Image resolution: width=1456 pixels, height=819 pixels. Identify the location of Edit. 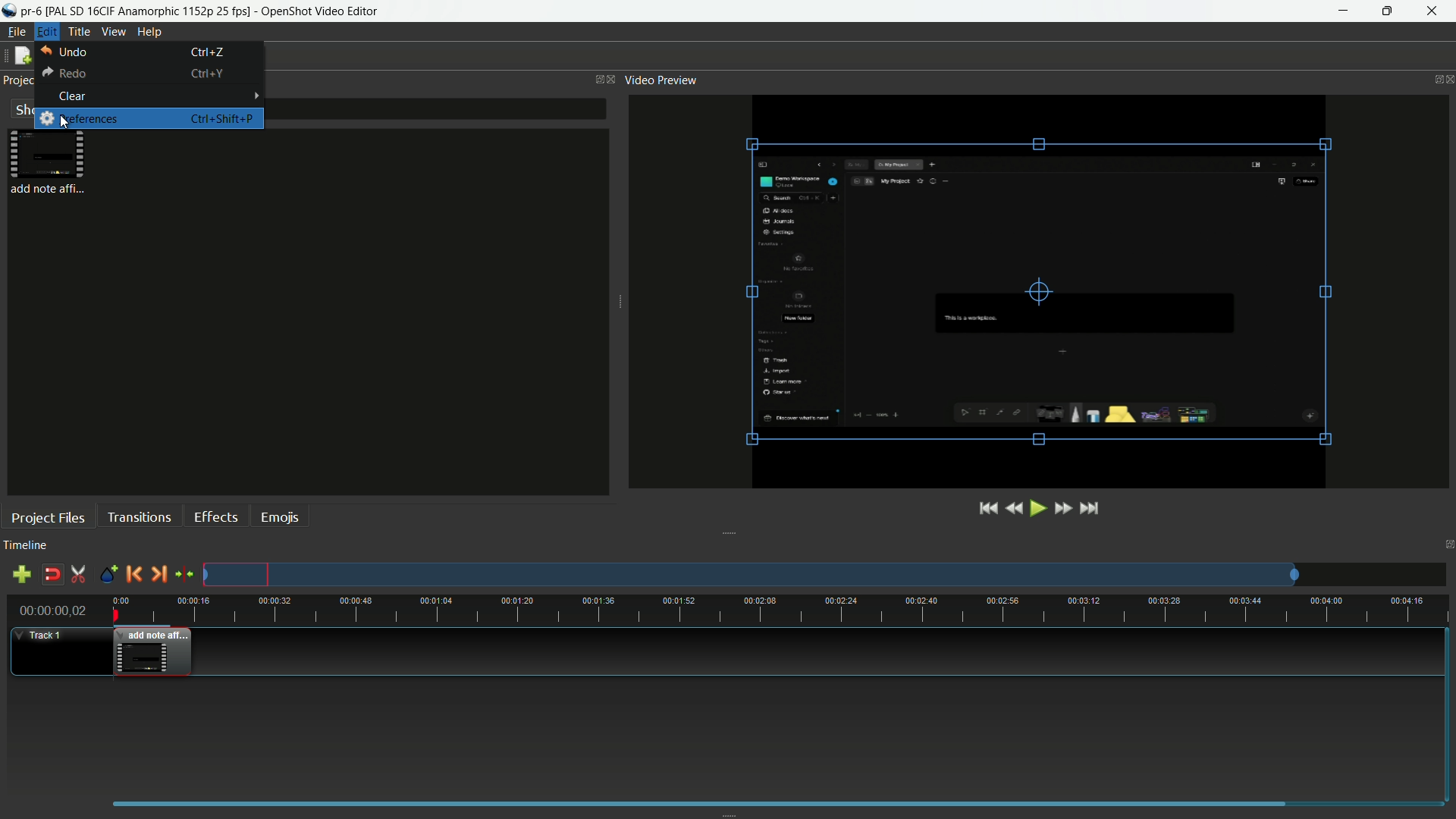
(50, 33).